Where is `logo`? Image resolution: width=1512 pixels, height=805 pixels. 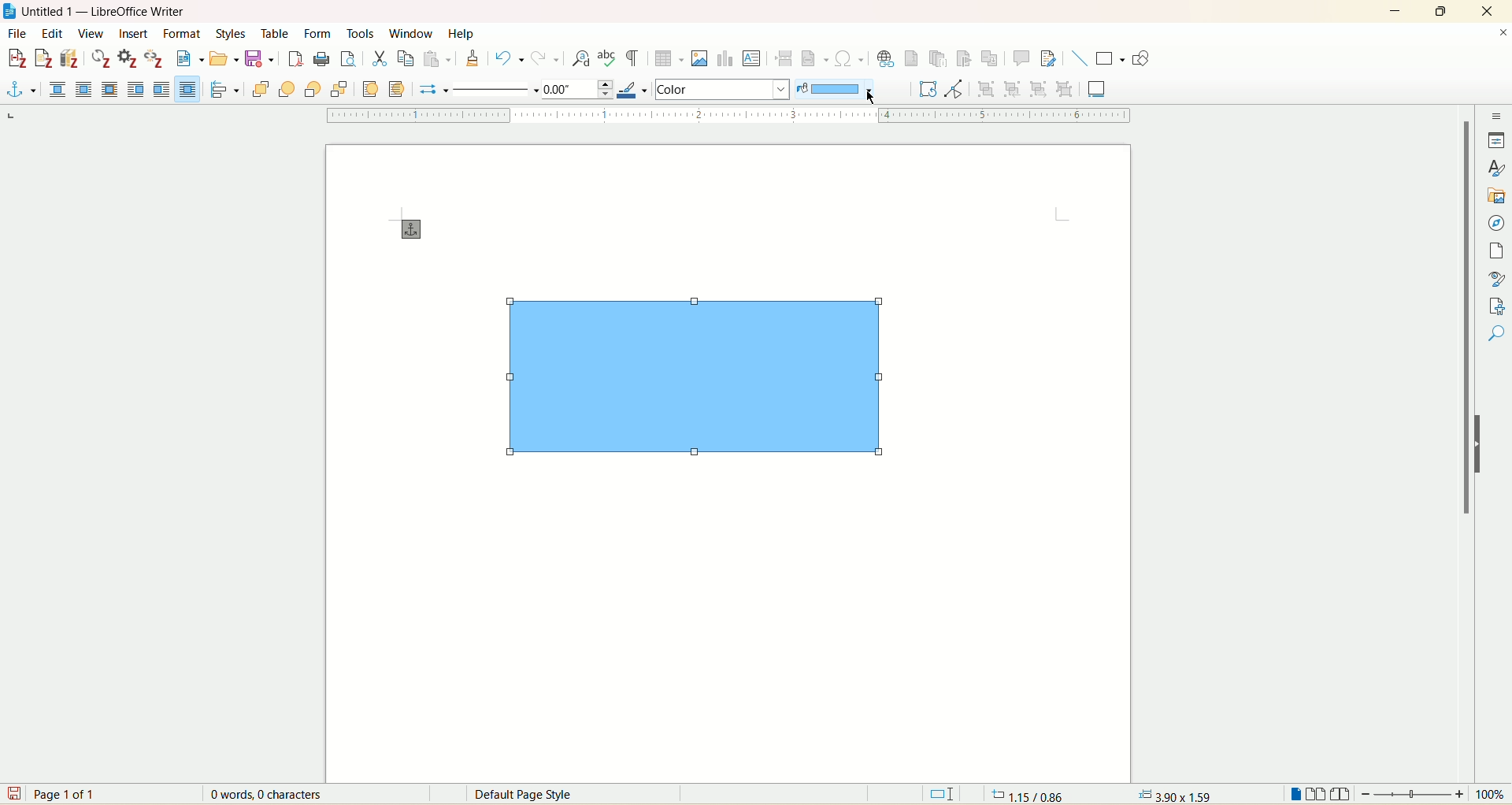
logo is located at coordinates (9, 12).